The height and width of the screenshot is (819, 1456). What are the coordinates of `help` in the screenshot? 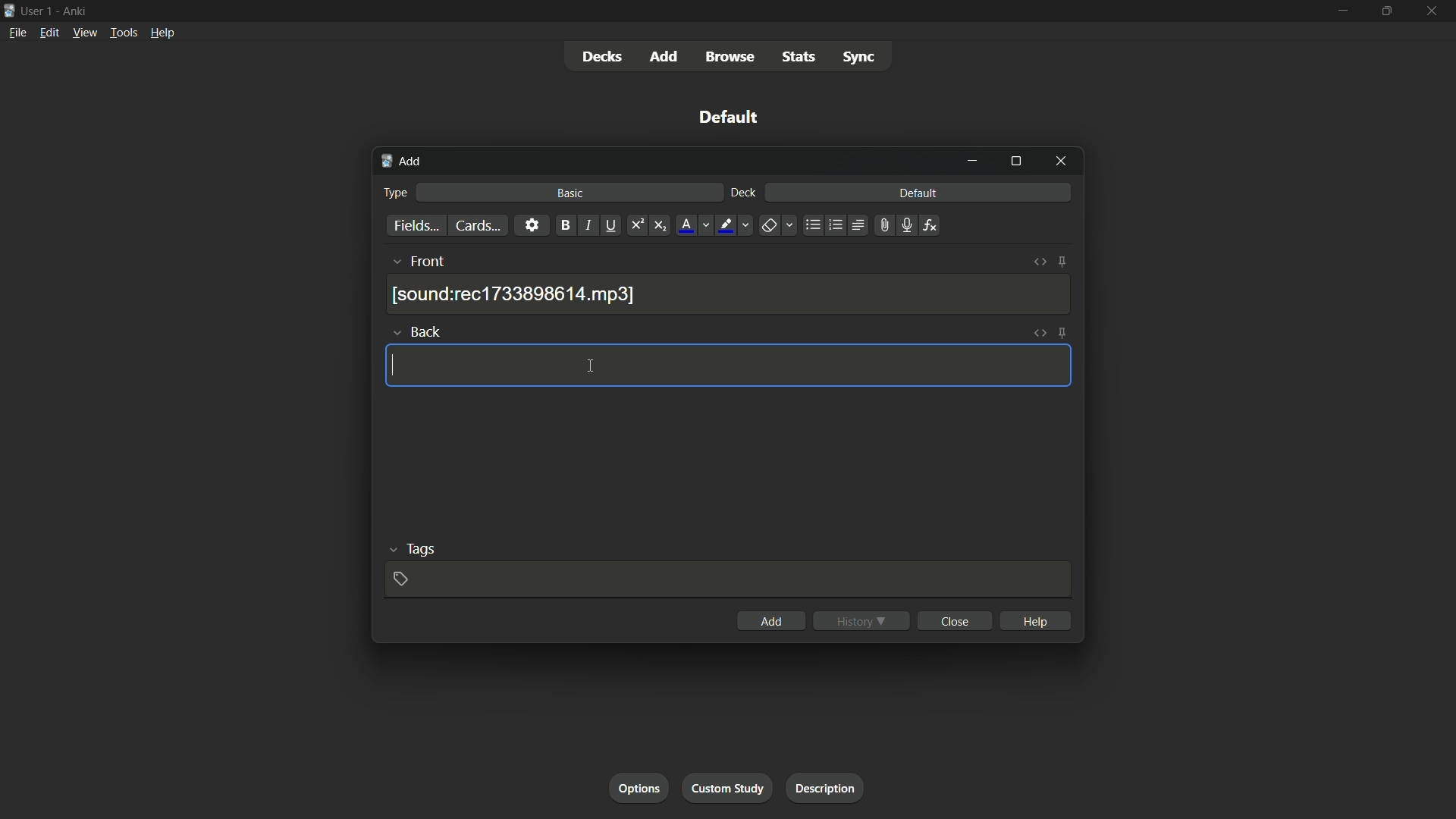 It's located at (1035, 620).